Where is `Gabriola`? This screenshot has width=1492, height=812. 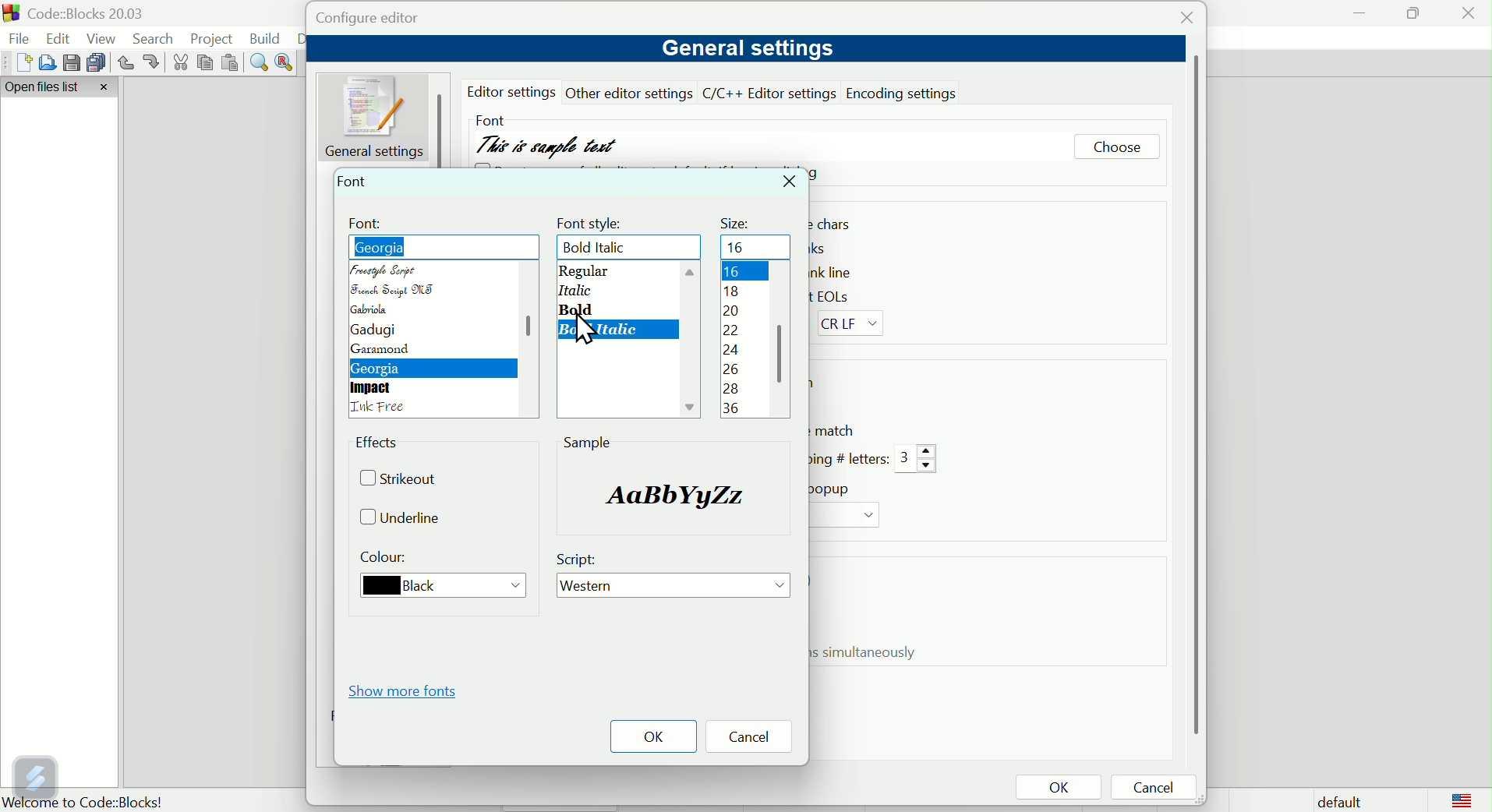 Gabriola is located at coordinates (376, 310).